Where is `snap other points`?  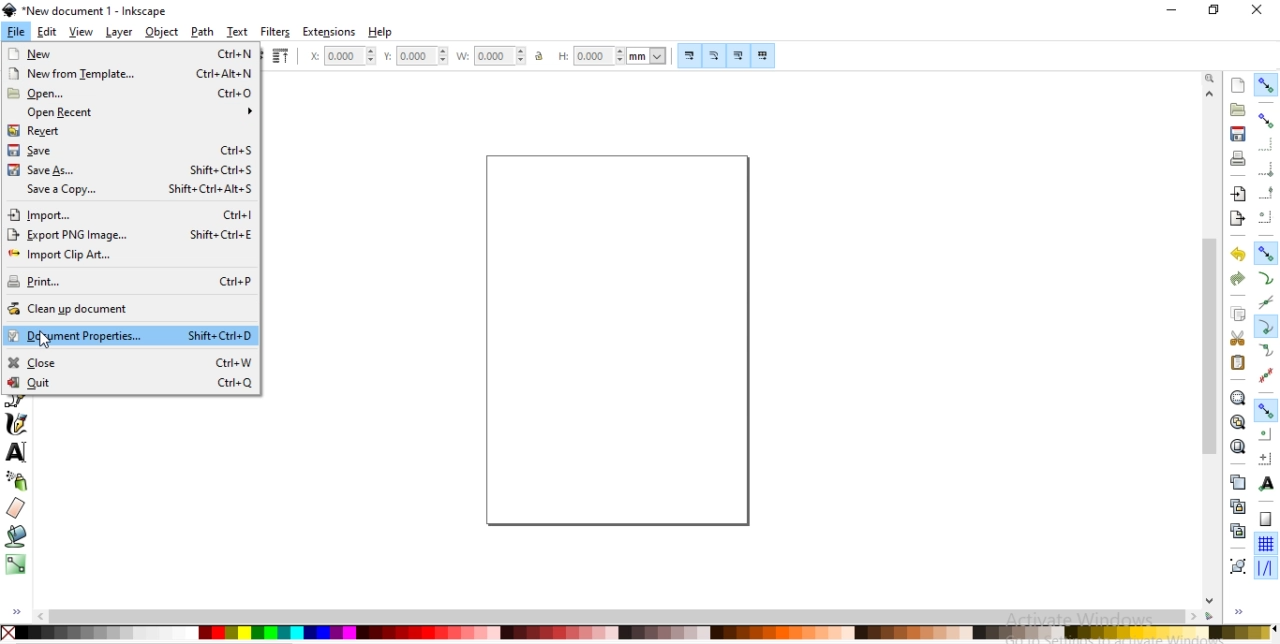
snap other points is located at coordinates (1266, 410).